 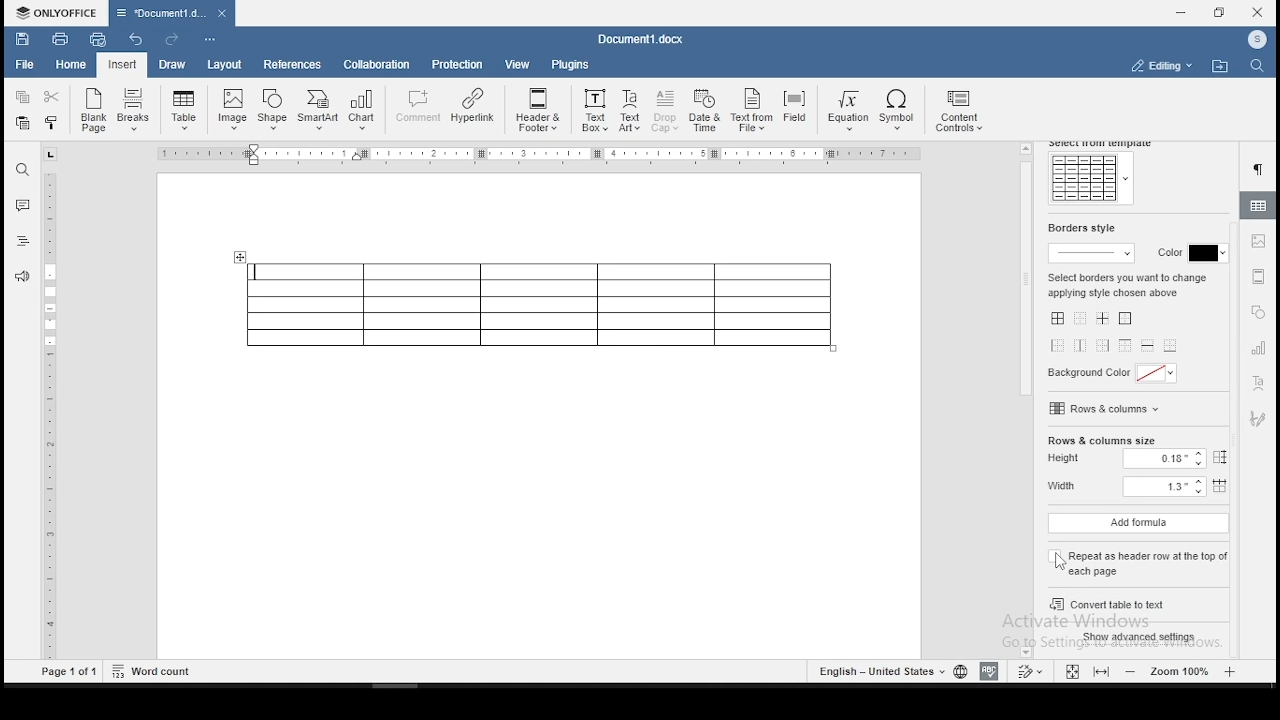 What do you see at coordinates (122, 65) in the screenshot?
I see `input` at bounding box center [122, 65].